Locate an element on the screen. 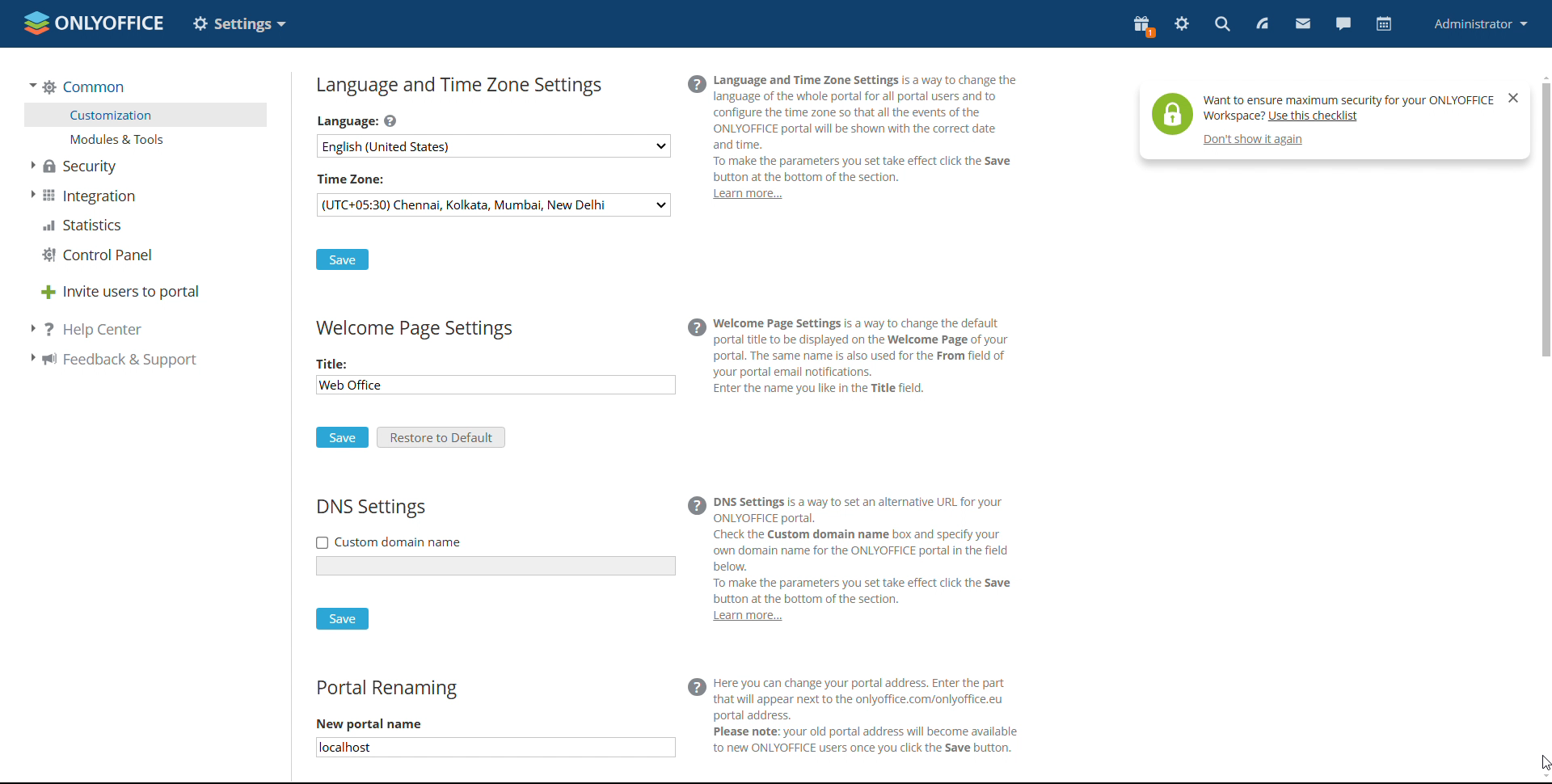 This screenshot has width=1552, height=784. (@ Language and Time Zone Settings is a way to change the
language of the whole portal for all portal users and to
configure the time zone so that all the events of the
'ONLYOFFICE portal will be shown with the correct date

| and time.
To make the parameters you set take effect click the Save
button at the bottom of the section. is located at coordinates (866, 126).